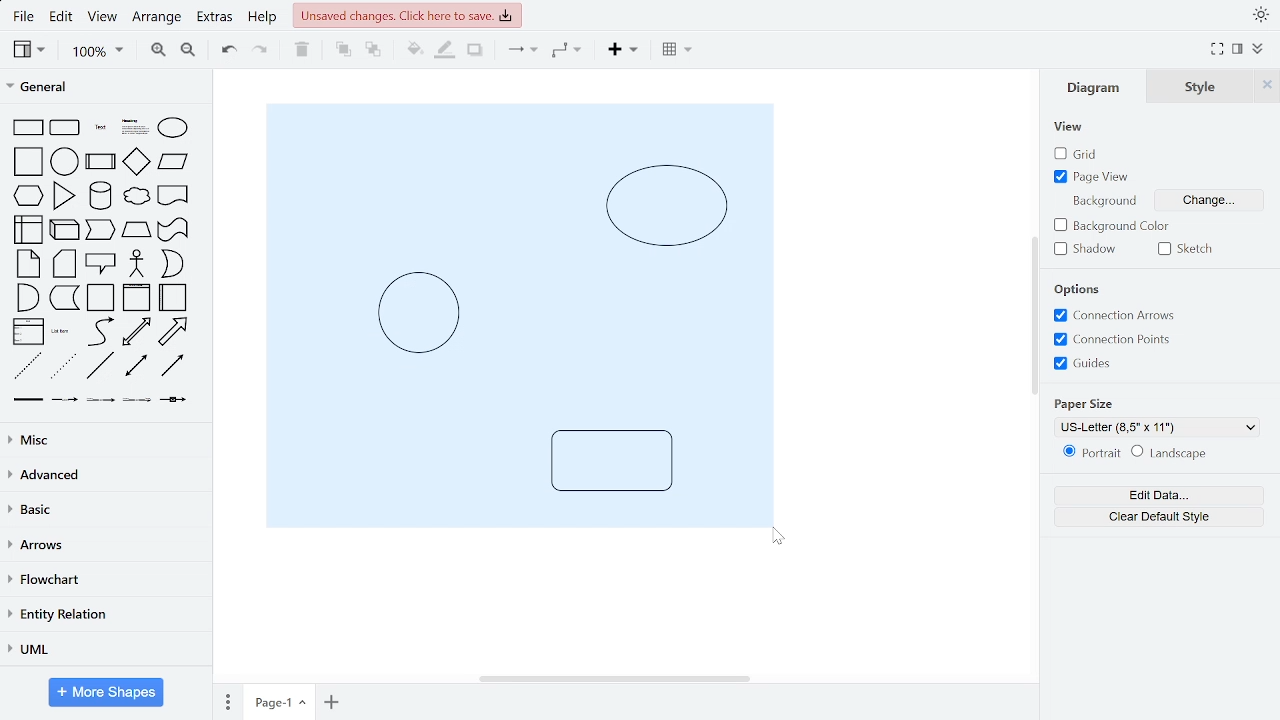  What do you see at coordinates (1258, 49) in the screenshot?
I see `collapse` at bounding box center [1258, 49].